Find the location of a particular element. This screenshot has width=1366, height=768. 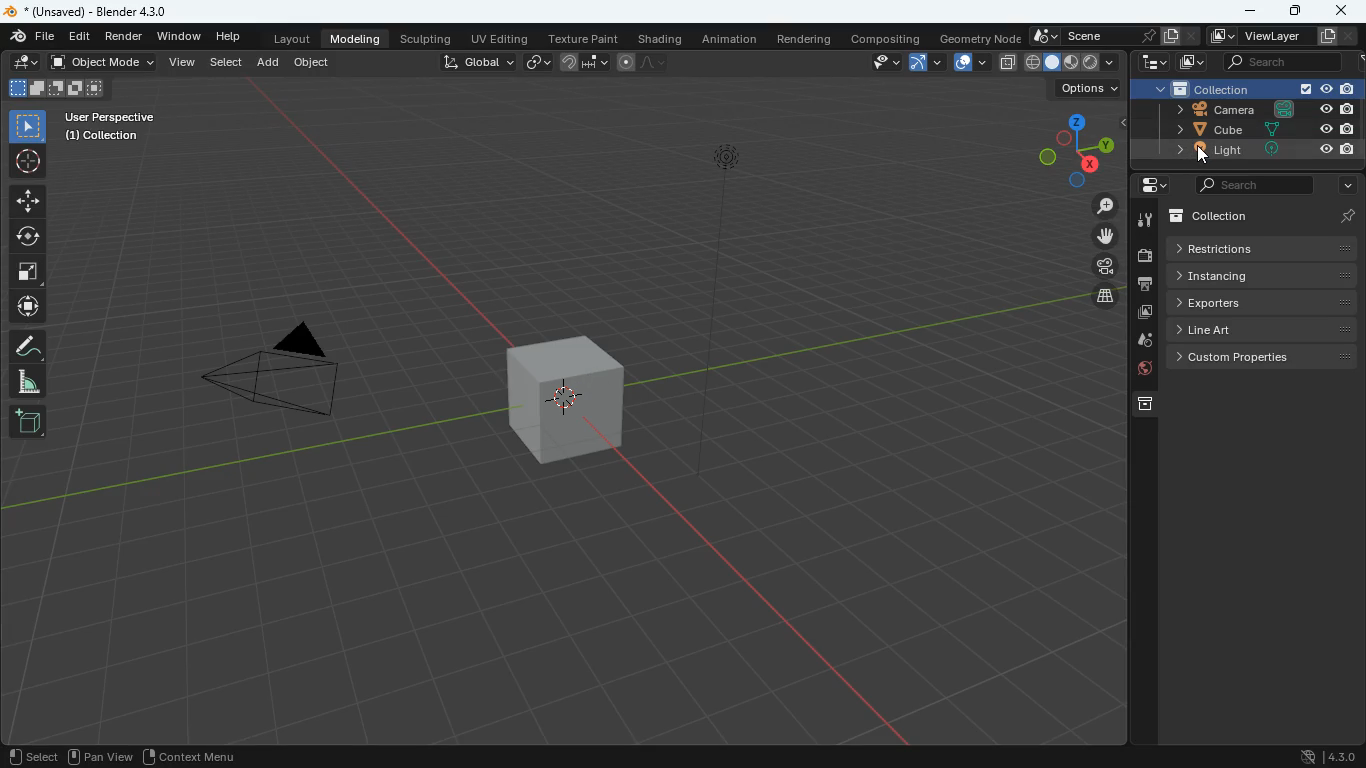

window is located at coordinates (179, 36).